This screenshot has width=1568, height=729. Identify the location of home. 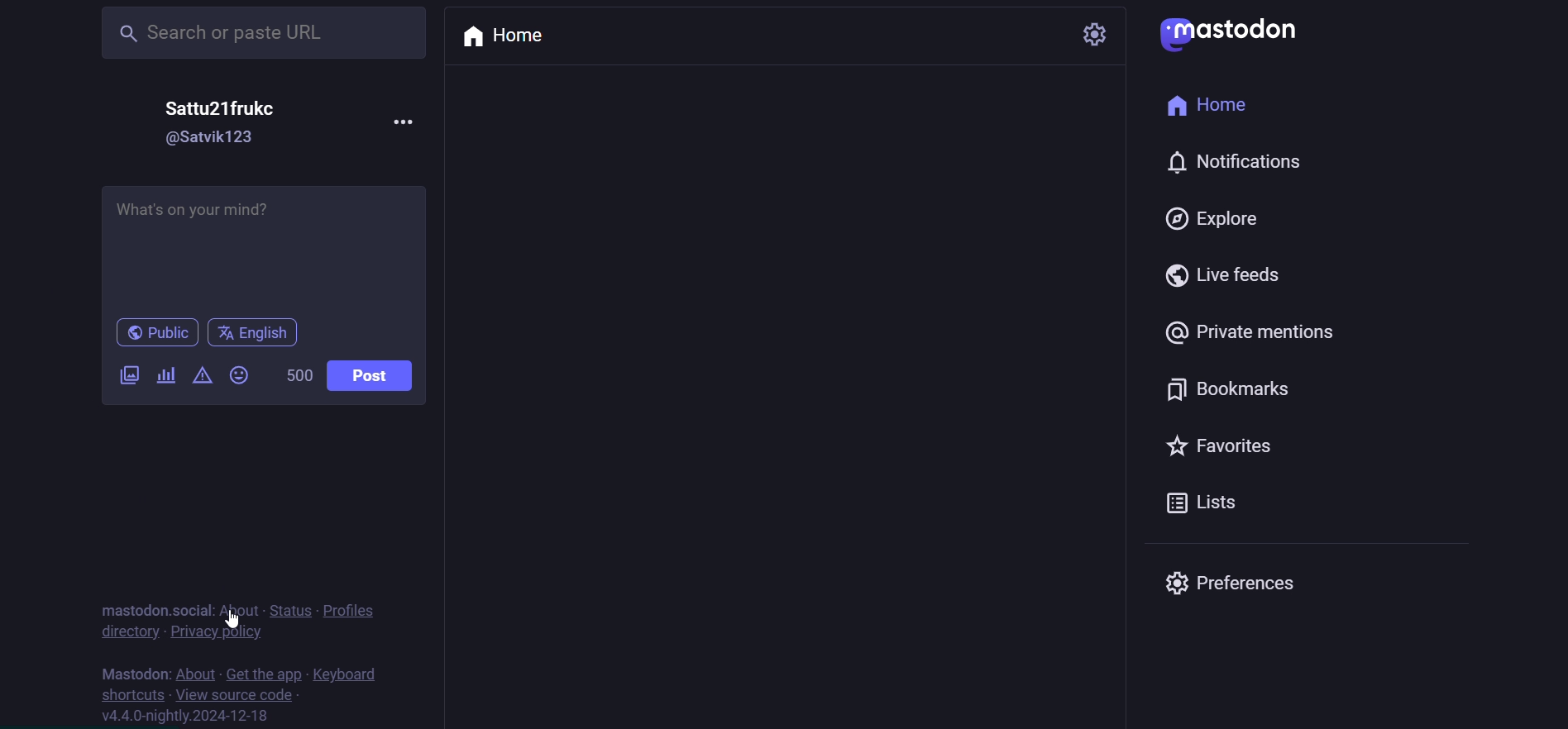
(1208, 101).